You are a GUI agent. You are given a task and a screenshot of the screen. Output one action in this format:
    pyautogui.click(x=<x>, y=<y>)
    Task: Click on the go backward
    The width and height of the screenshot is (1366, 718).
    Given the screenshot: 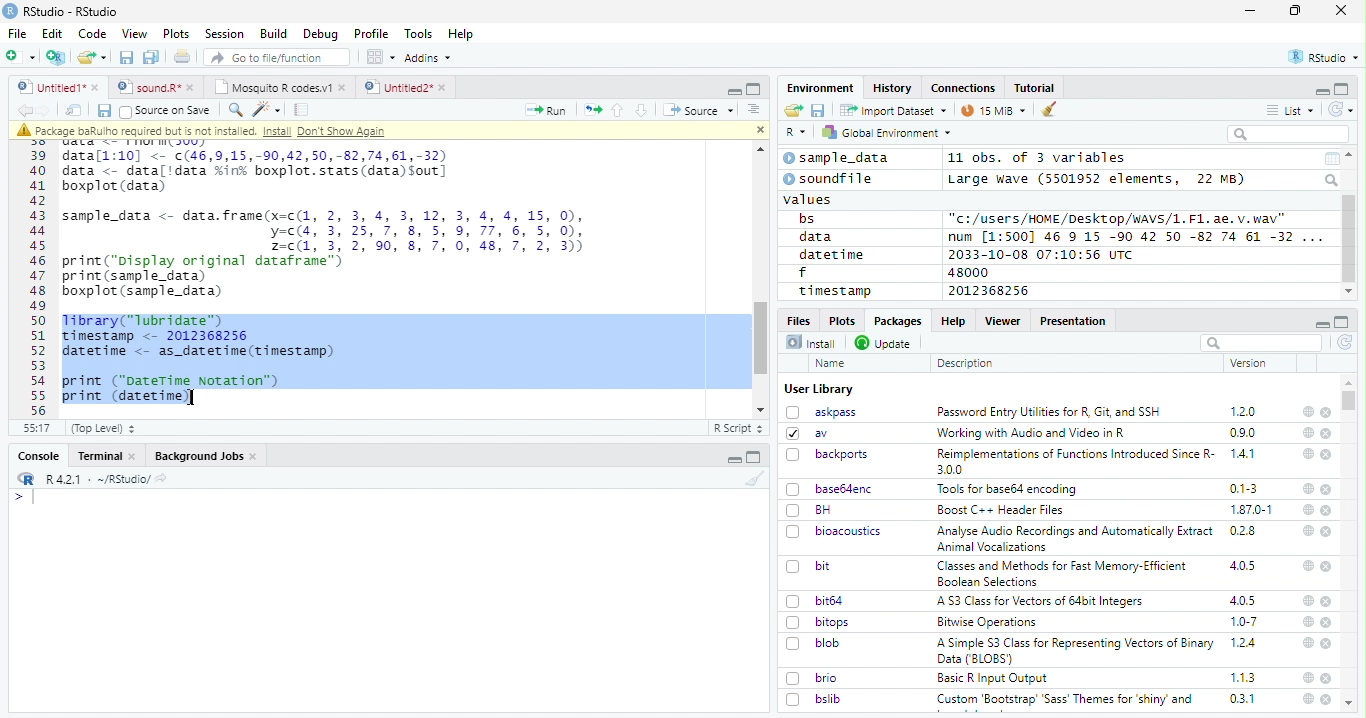 What is the action you would take?
    pyautogui.click(x=25, y=109)
    